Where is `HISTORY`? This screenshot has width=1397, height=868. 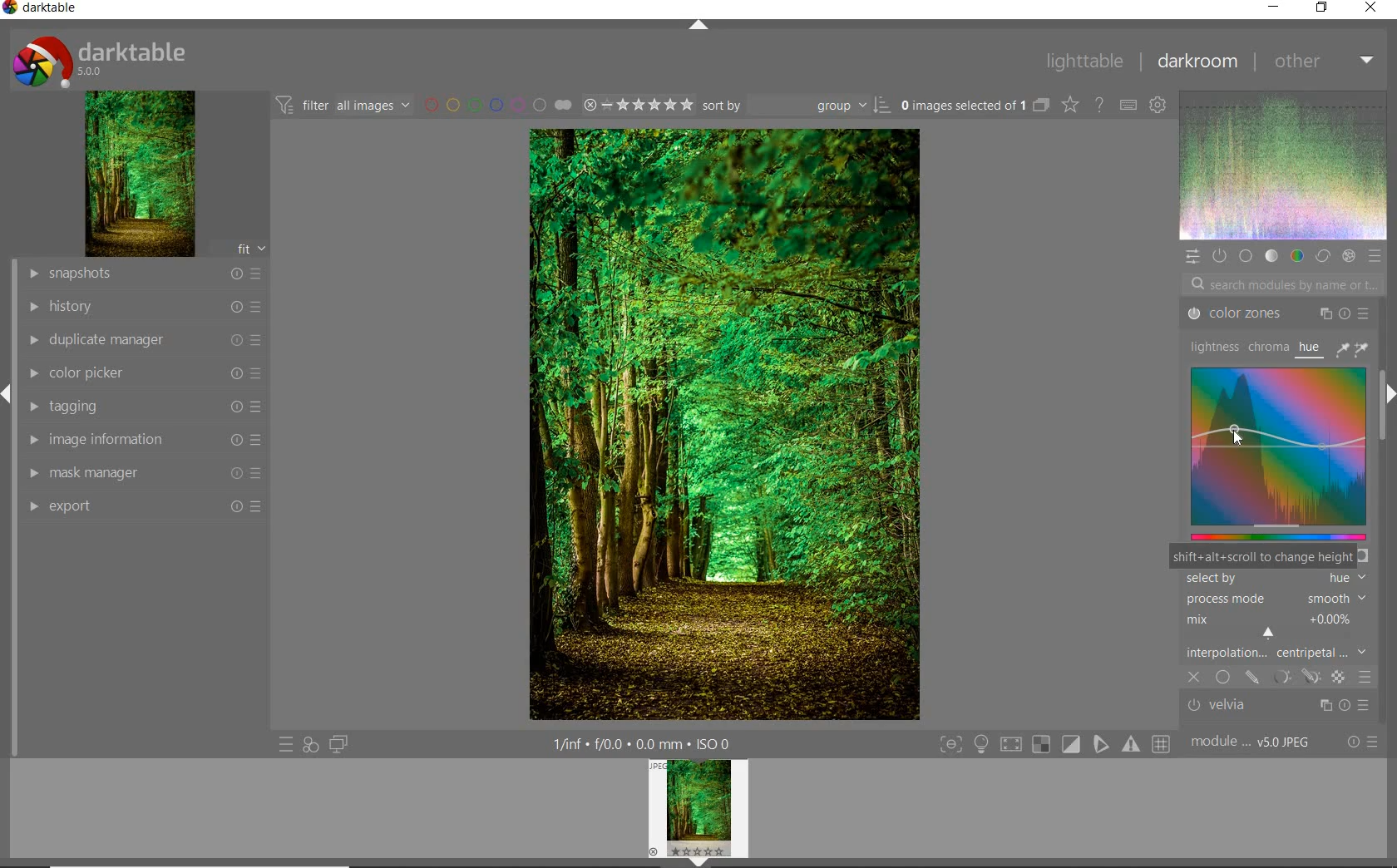 HISTORY is located at coordinates (141, 308).